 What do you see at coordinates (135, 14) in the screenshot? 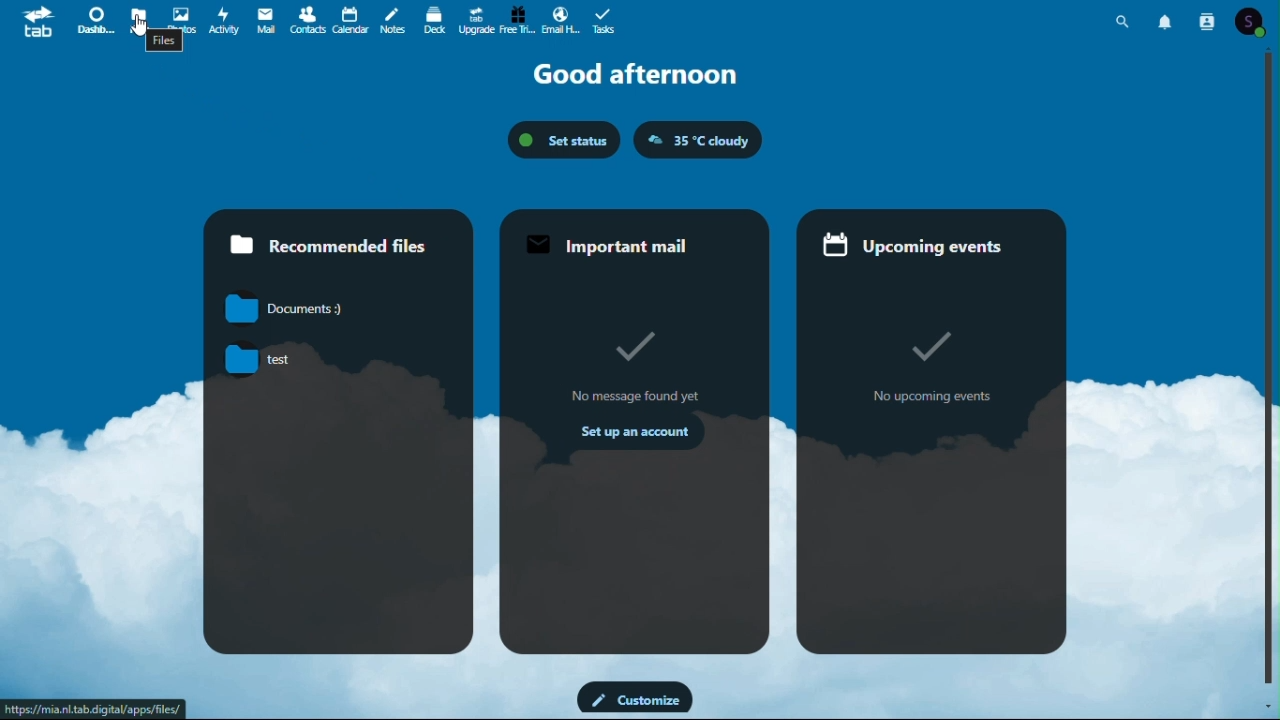
I see `Files` at bounding box center [135, 14].